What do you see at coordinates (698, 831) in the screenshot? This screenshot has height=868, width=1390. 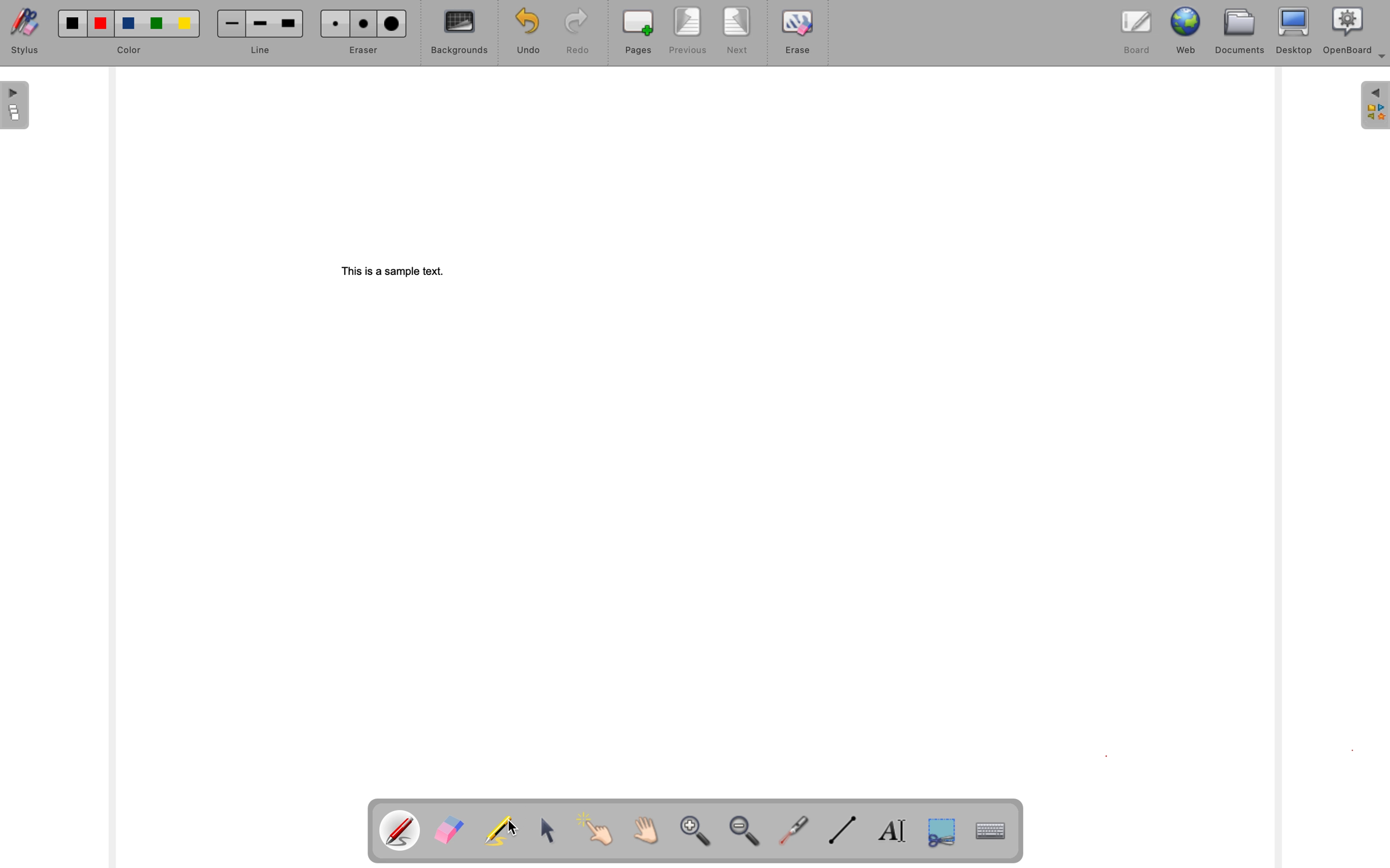 I see `zoom in` at bounding box center [698, 831].